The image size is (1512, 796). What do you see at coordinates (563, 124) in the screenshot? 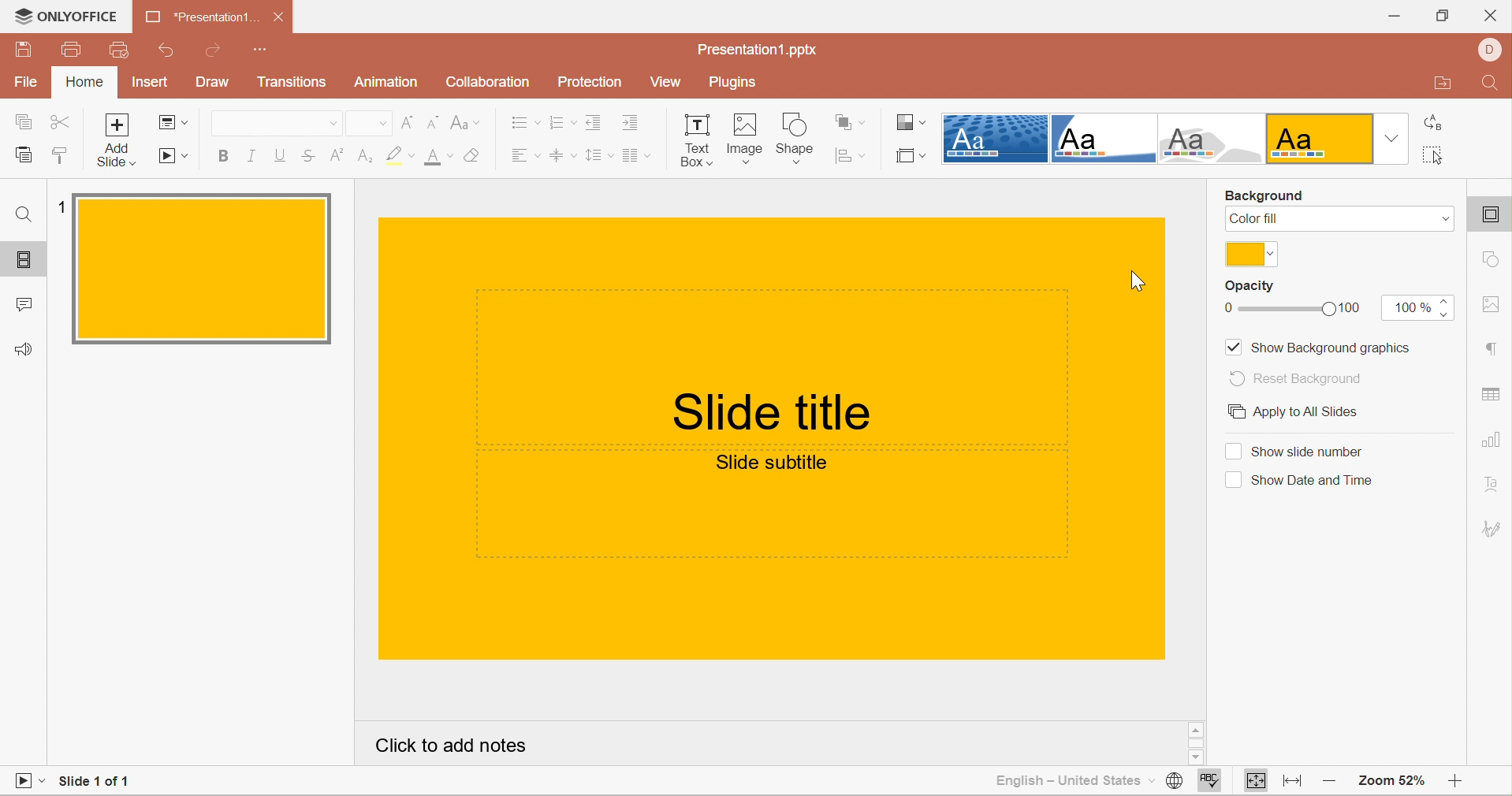
I see `Numbering` at bounding box center [563, 124].